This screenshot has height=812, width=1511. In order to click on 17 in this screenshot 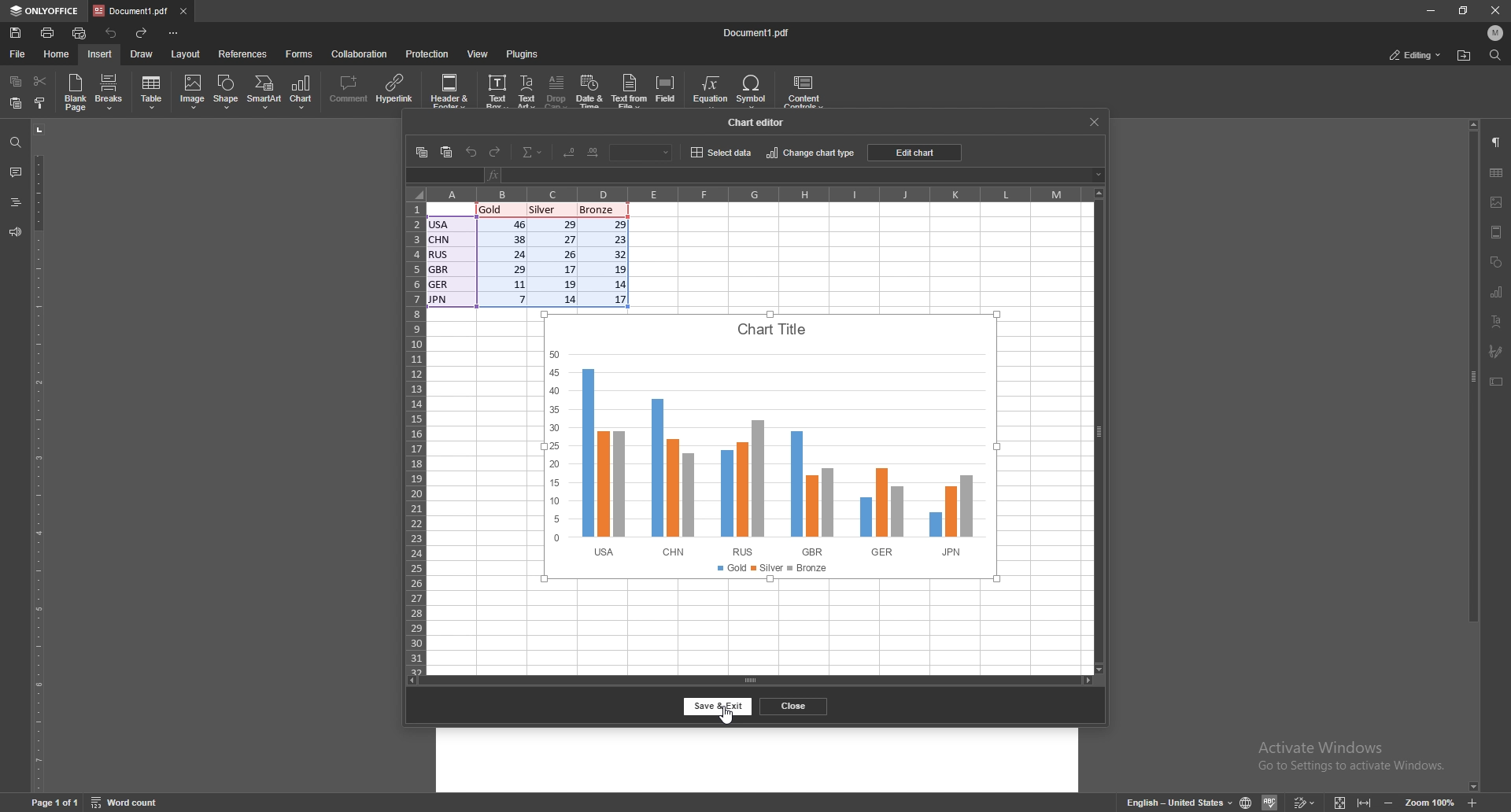, I will do `click(563, 268)`.